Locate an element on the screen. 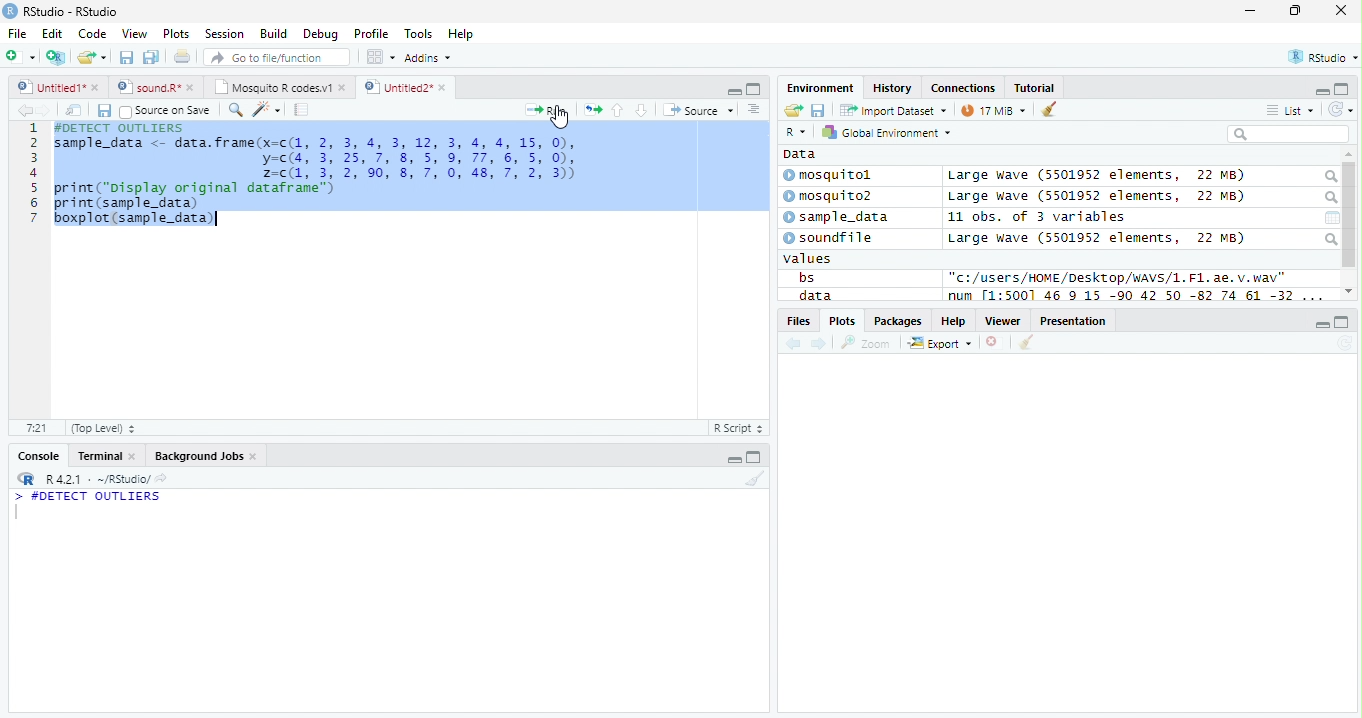 The height and width of the screenshot is (718, 1362). Help is located at coordinates (463, 34).